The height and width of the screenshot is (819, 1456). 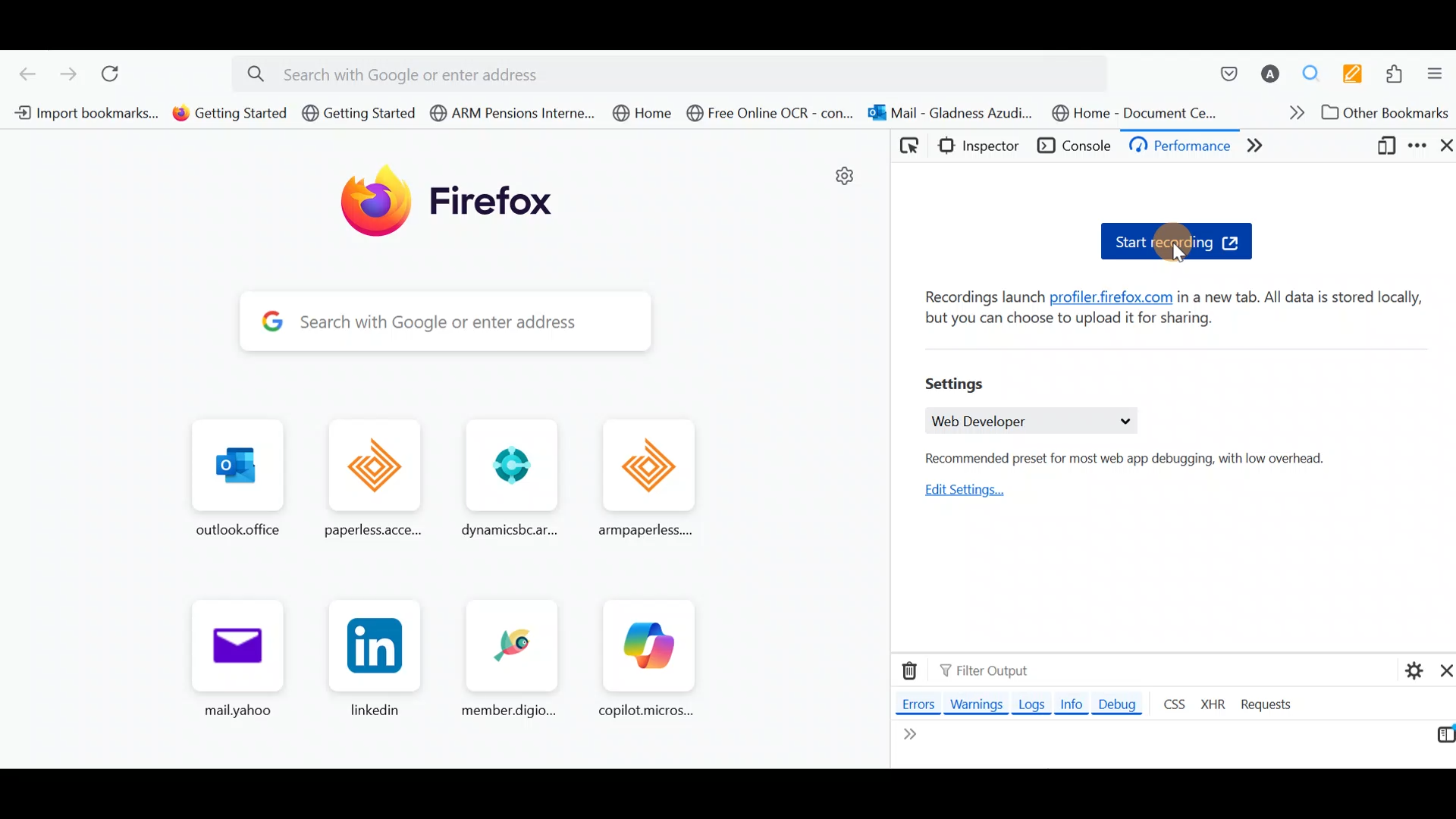 I want to click on Bookmark 6, so click(x=770, y=117).